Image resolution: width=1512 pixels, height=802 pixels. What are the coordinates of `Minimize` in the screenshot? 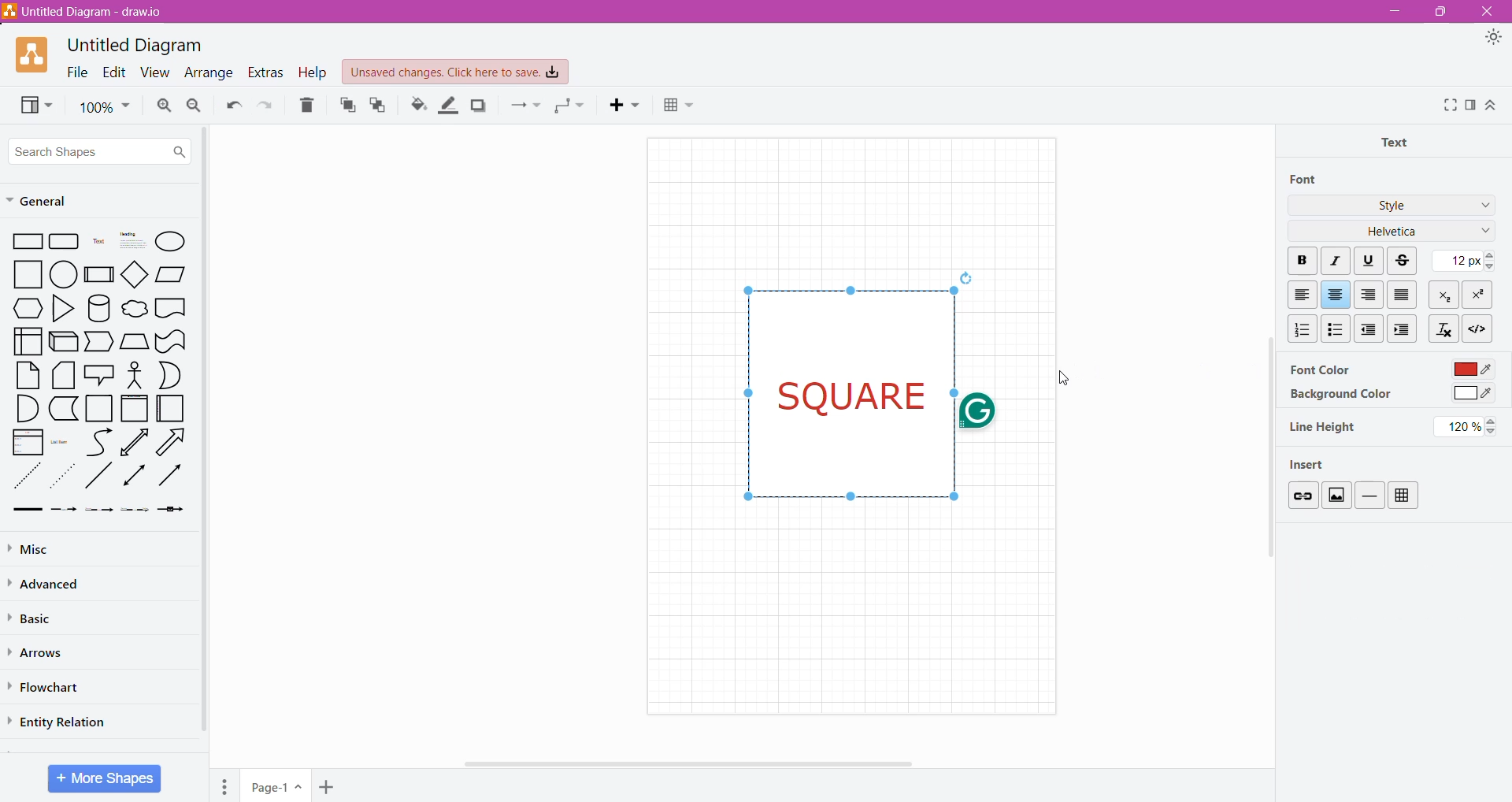 It's located at (1395, 10).